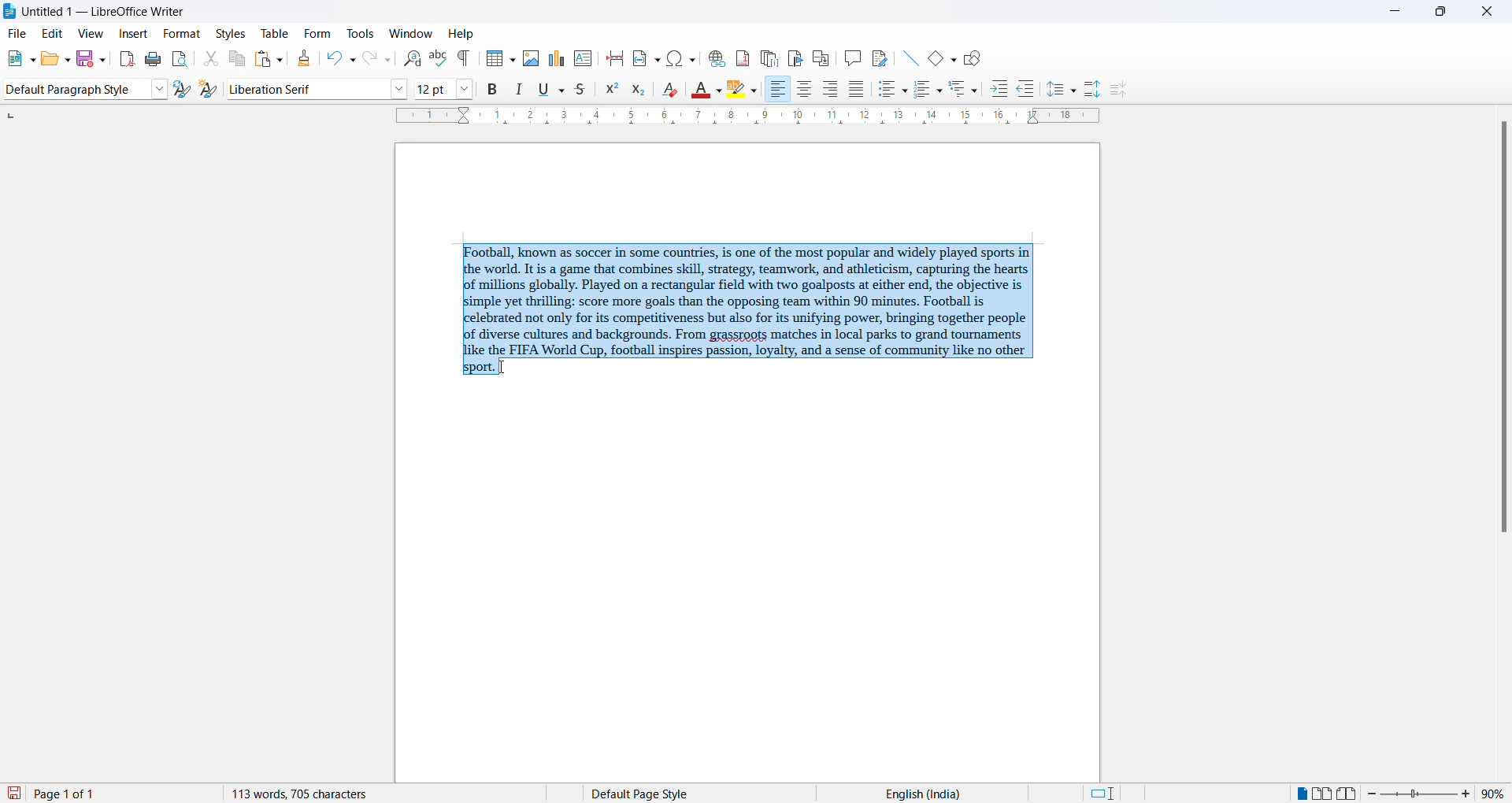 Image resolution: width=1512 pixels, height=803 pixels. Describe the element at coordinates (304, 89) in the screenshot. I see `font name` at that location.